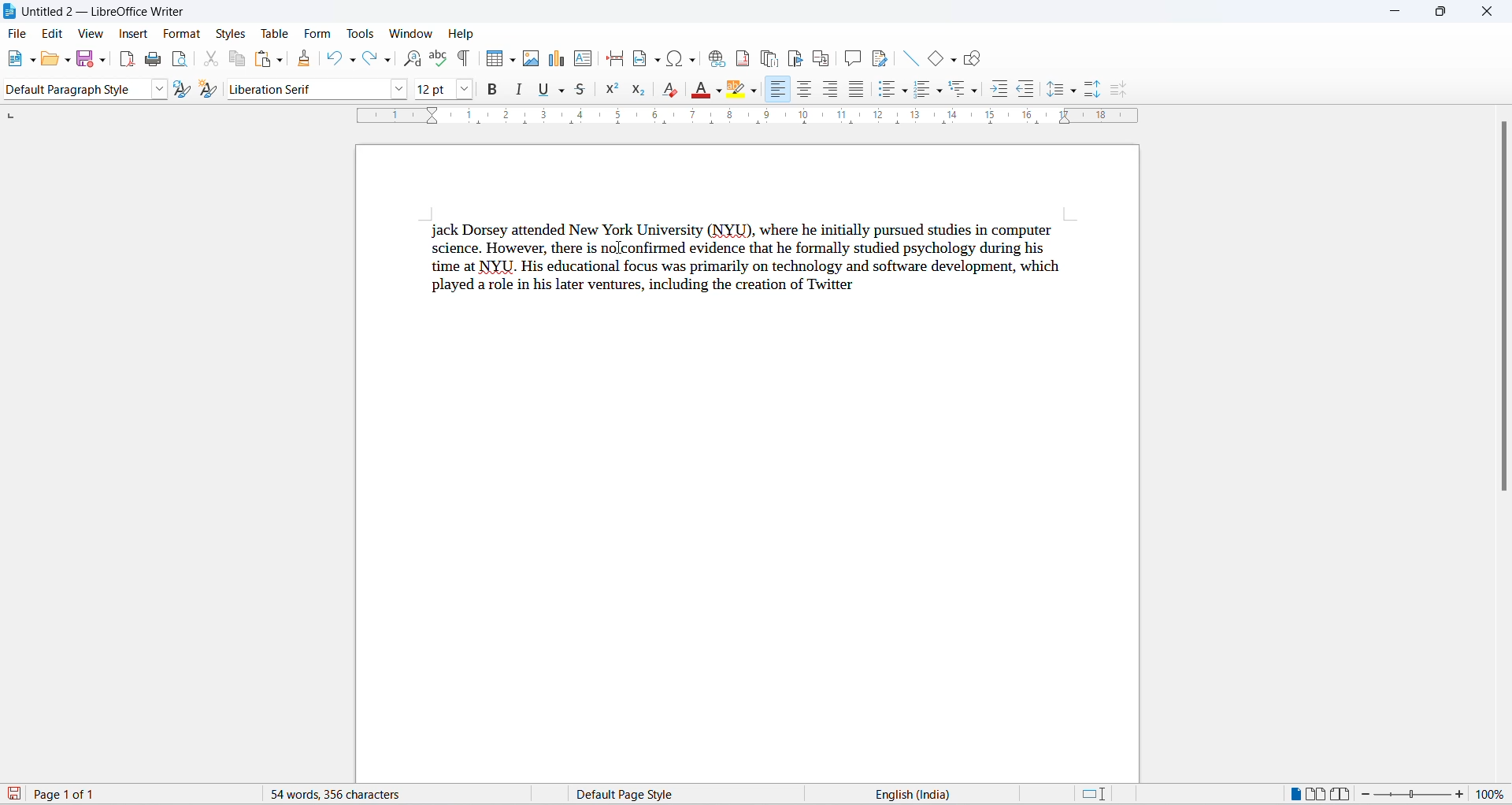  Describe the element at coordinates (1486, 12) in the screenshot. I see `close` at that location.